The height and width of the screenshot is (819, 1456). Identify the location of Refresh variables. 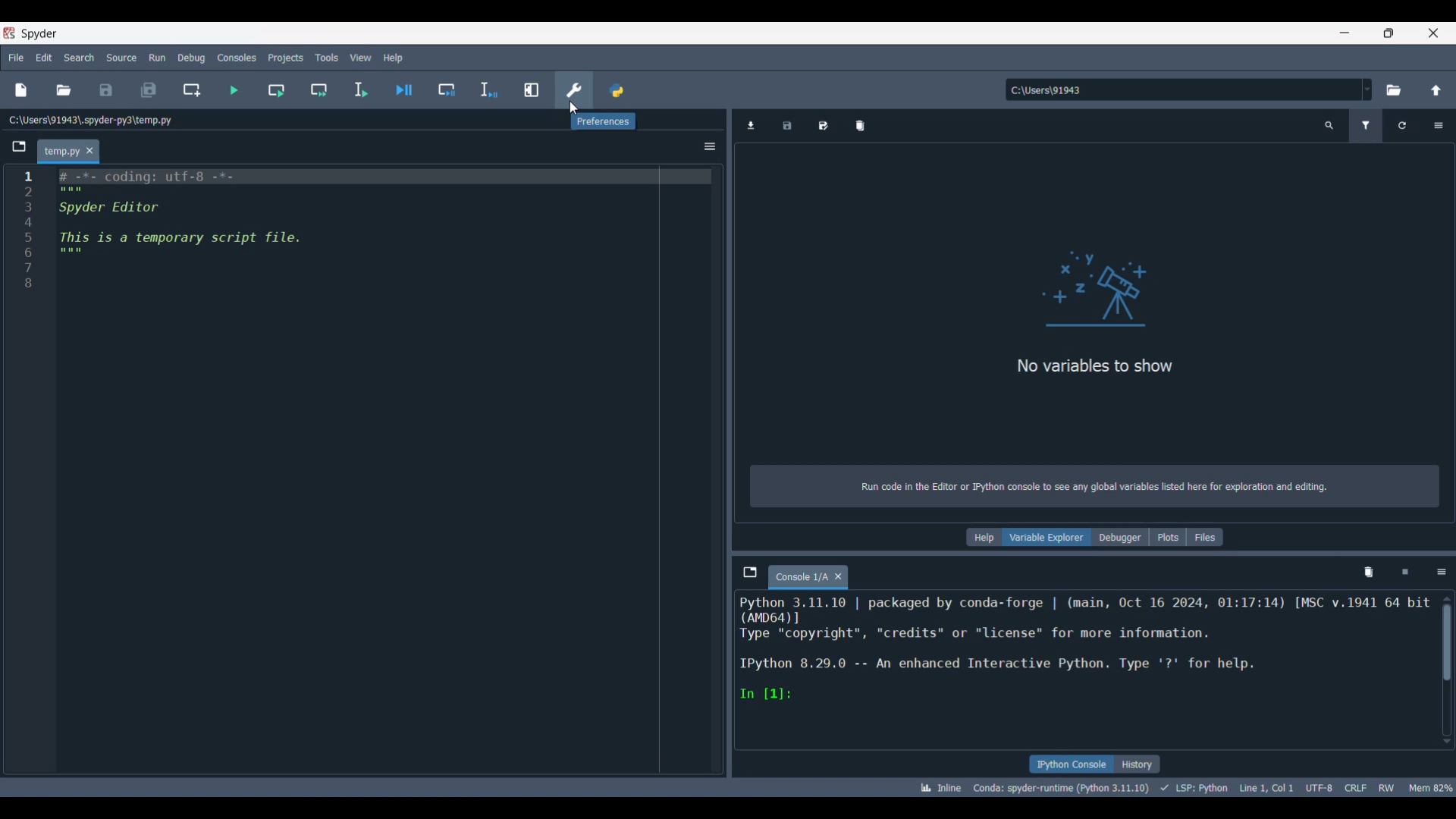
(1401, 126).